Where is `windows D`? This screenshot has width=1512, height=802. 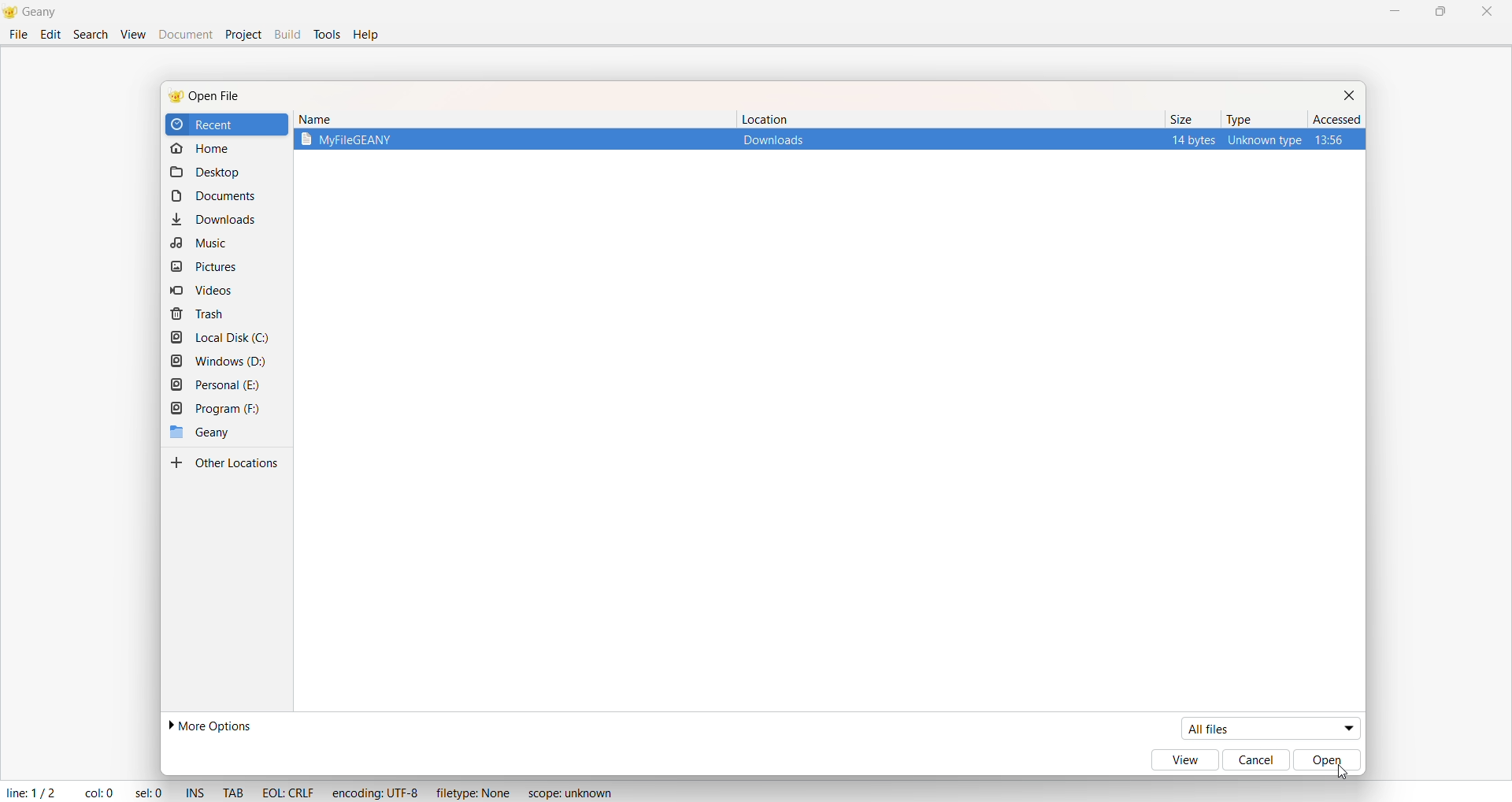
windows D is located at coordinates (220, 361).